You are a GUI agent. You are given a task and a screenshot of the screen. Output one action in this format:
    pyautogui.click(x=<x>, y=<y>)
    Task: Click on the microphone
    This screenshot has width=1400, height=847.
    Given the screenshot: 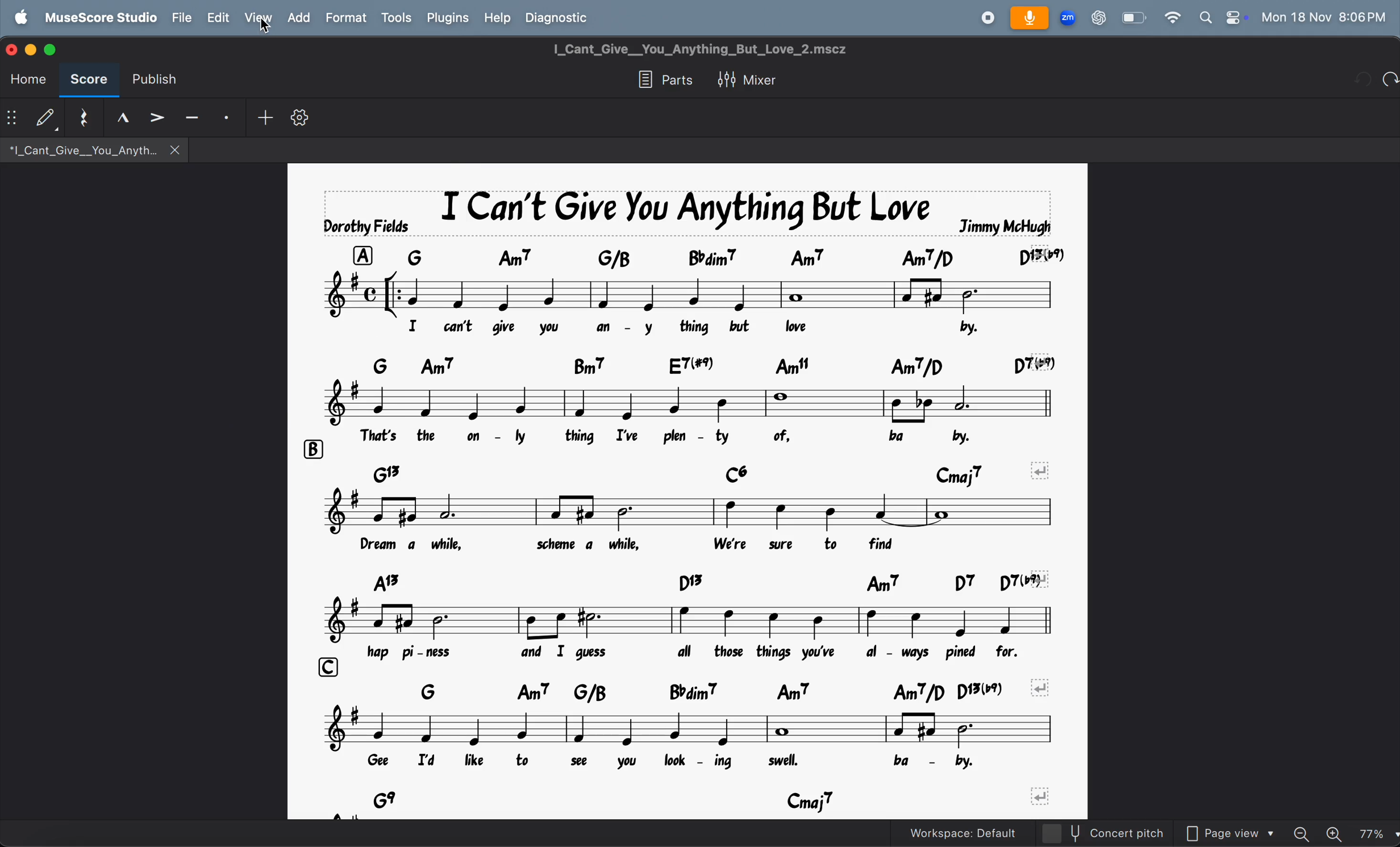 What is the action you would take?
    pyautogui.click(x=1032, y=16)
    